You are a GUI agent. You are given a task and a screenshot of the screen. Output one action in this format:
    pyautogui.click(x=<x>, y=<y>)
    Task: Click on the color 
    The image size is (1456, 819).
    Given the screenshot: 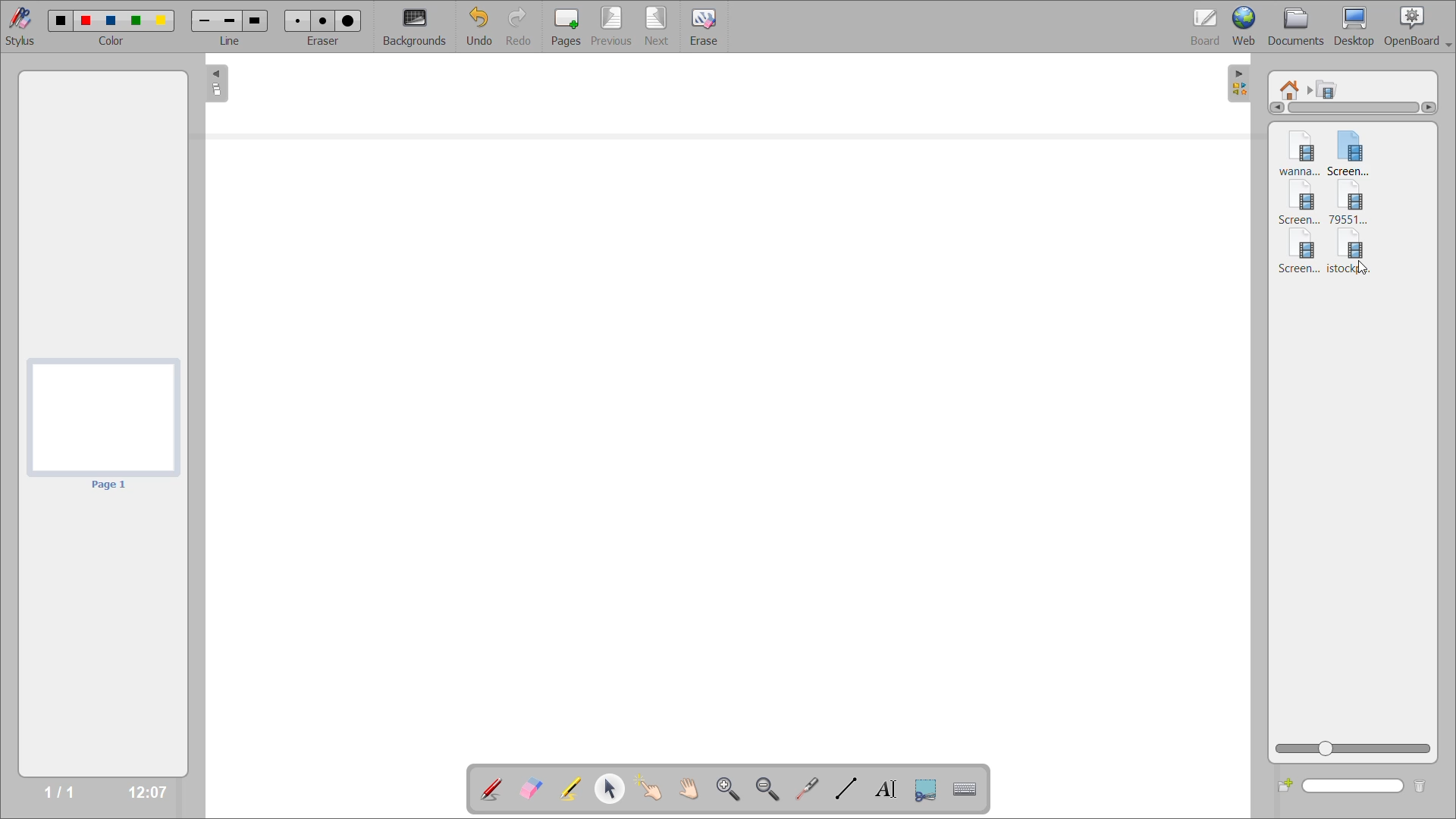 What is the action you would take?
    pyautogui.click(x=118, y=42)
    